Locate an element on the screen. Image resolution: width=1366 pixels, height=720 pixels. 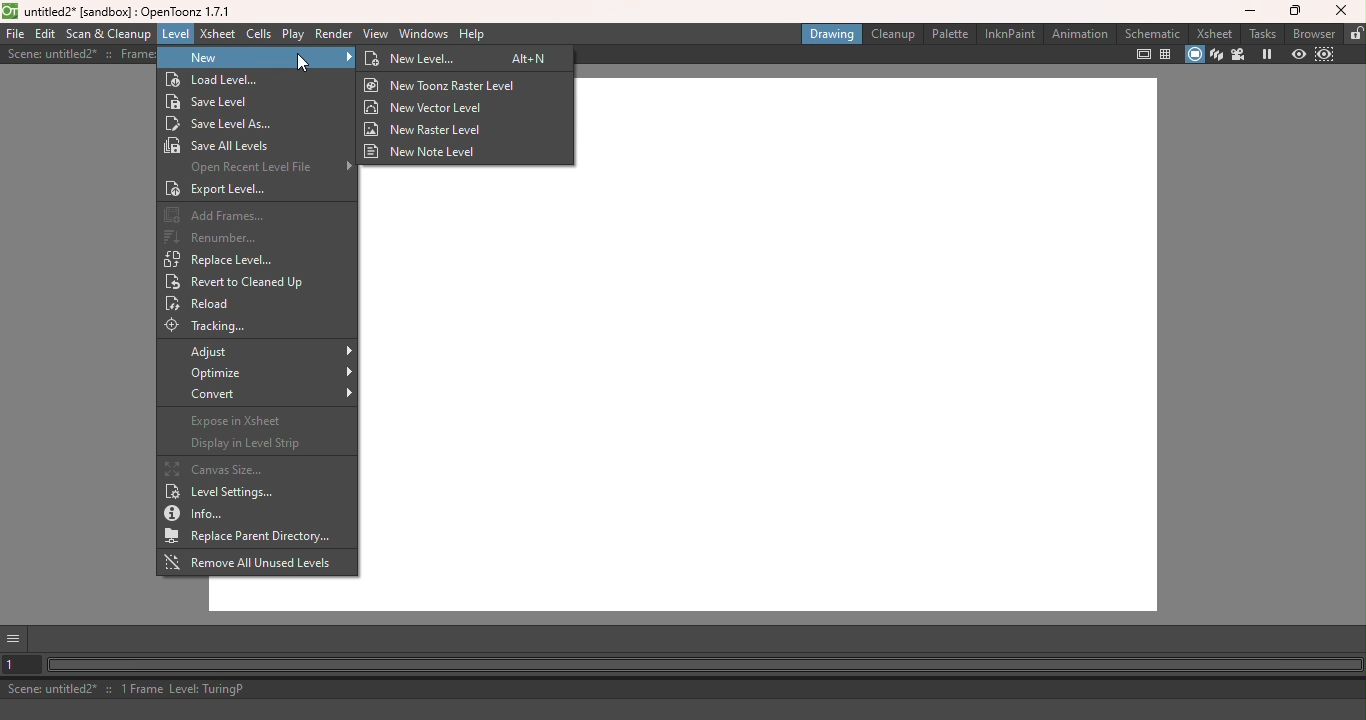
Display in level strip is located at coordinates (246, 444).